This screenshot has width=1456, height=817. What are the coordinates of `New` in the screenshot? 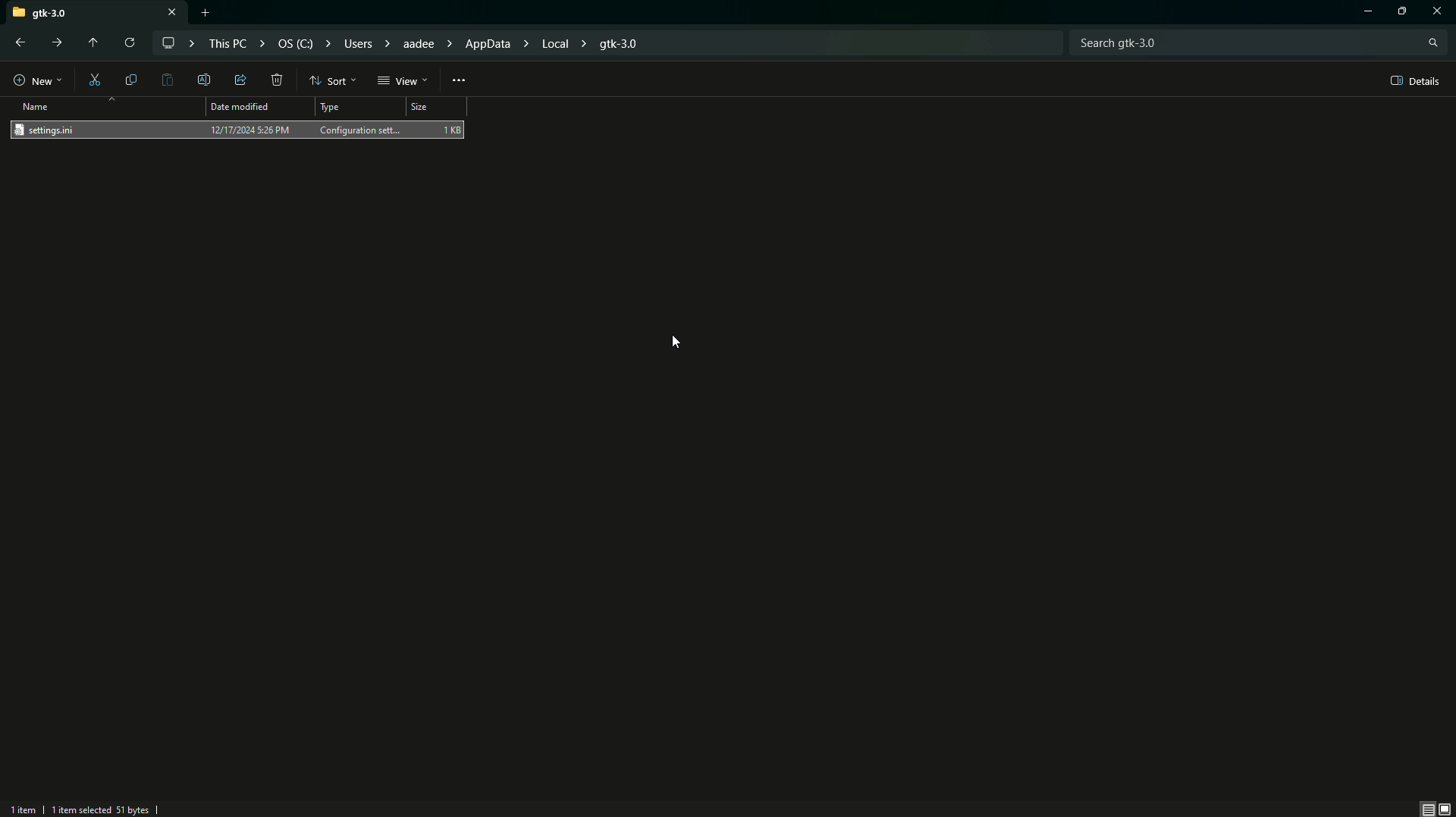 It's located at (36, 78).